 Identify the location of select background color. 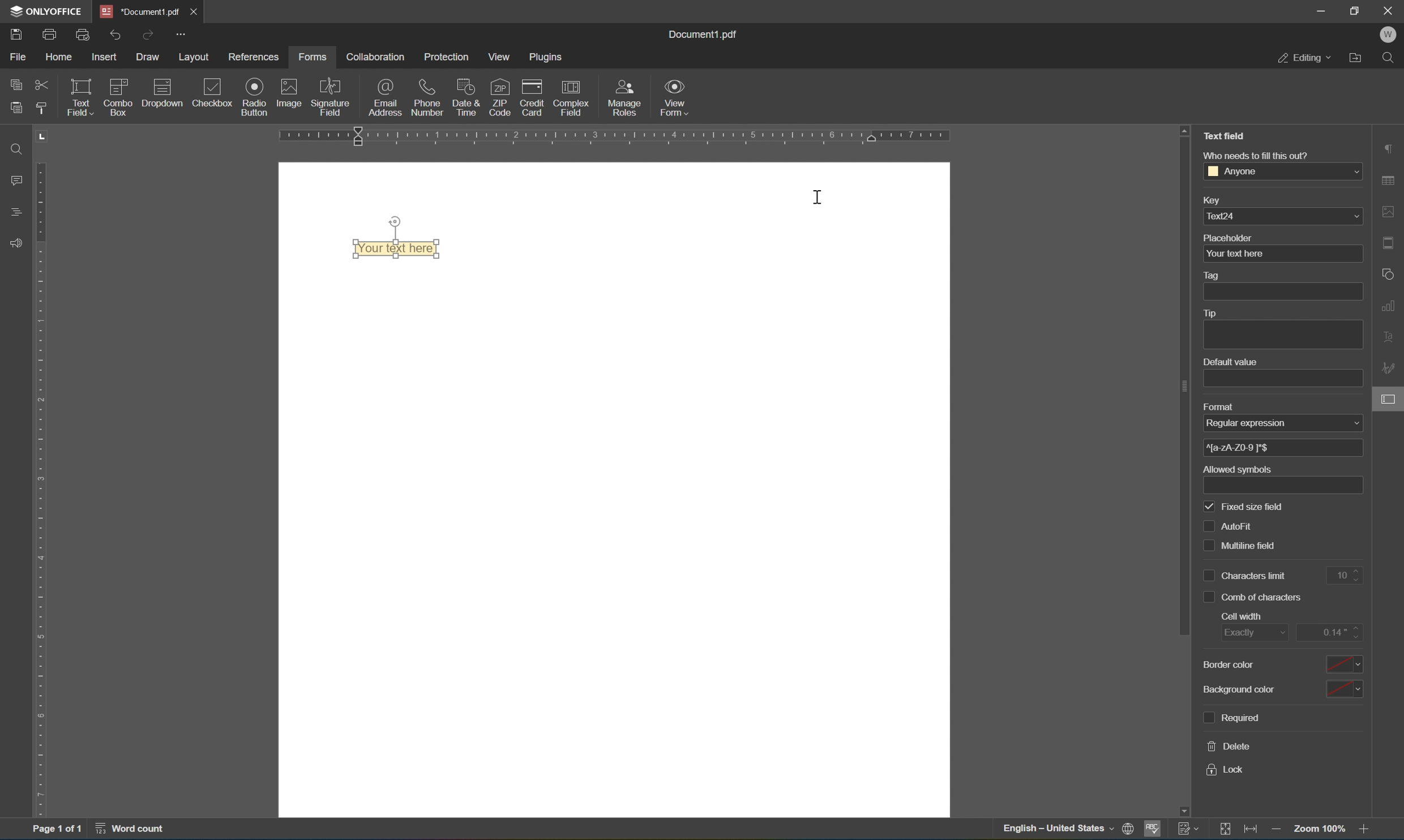
(1343, 690).